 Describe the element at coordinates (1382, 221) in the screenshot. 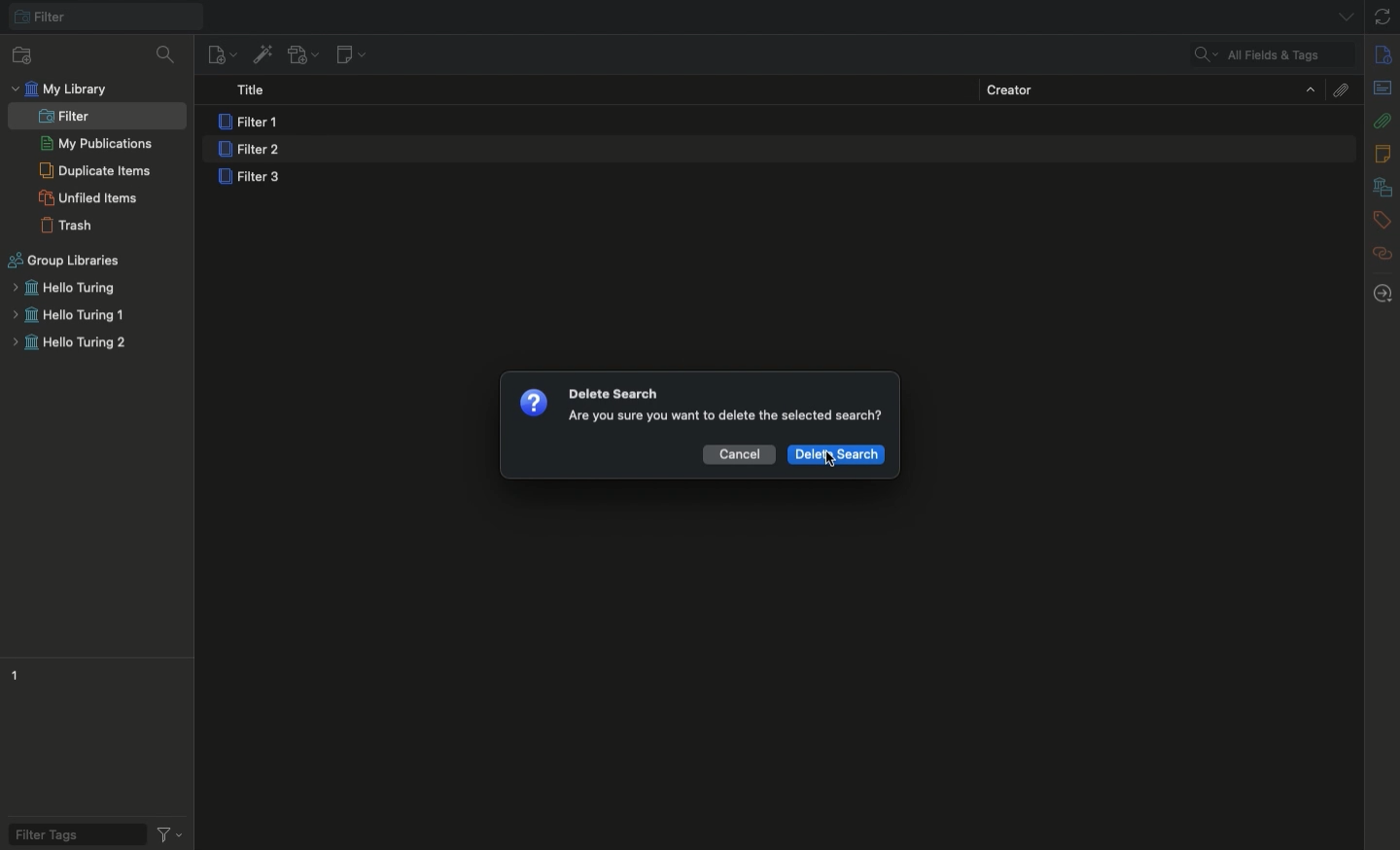

I see `Tags` at that location.